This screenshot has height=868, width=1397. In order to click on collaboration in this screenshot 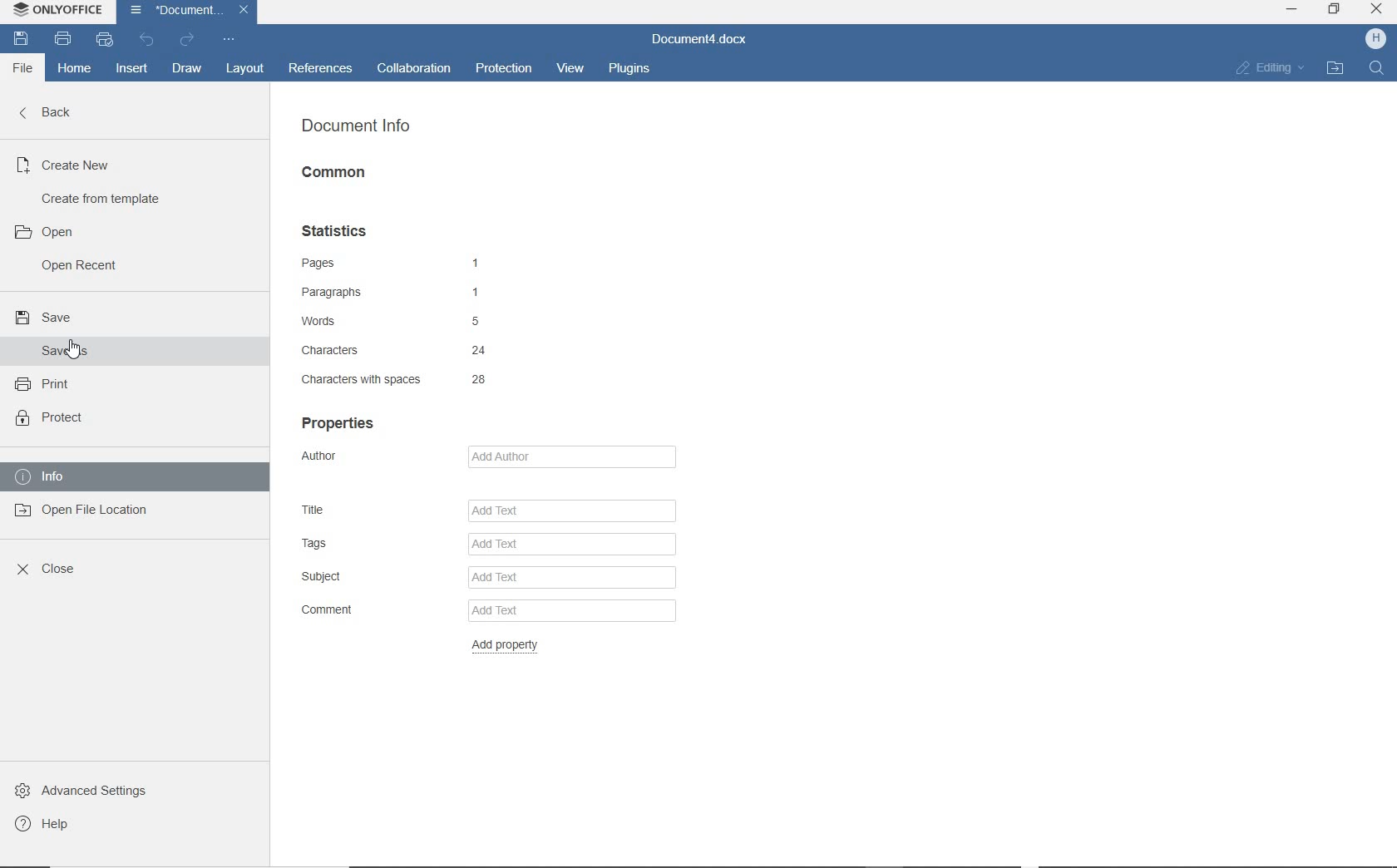, I will do `click(415, 69)`.